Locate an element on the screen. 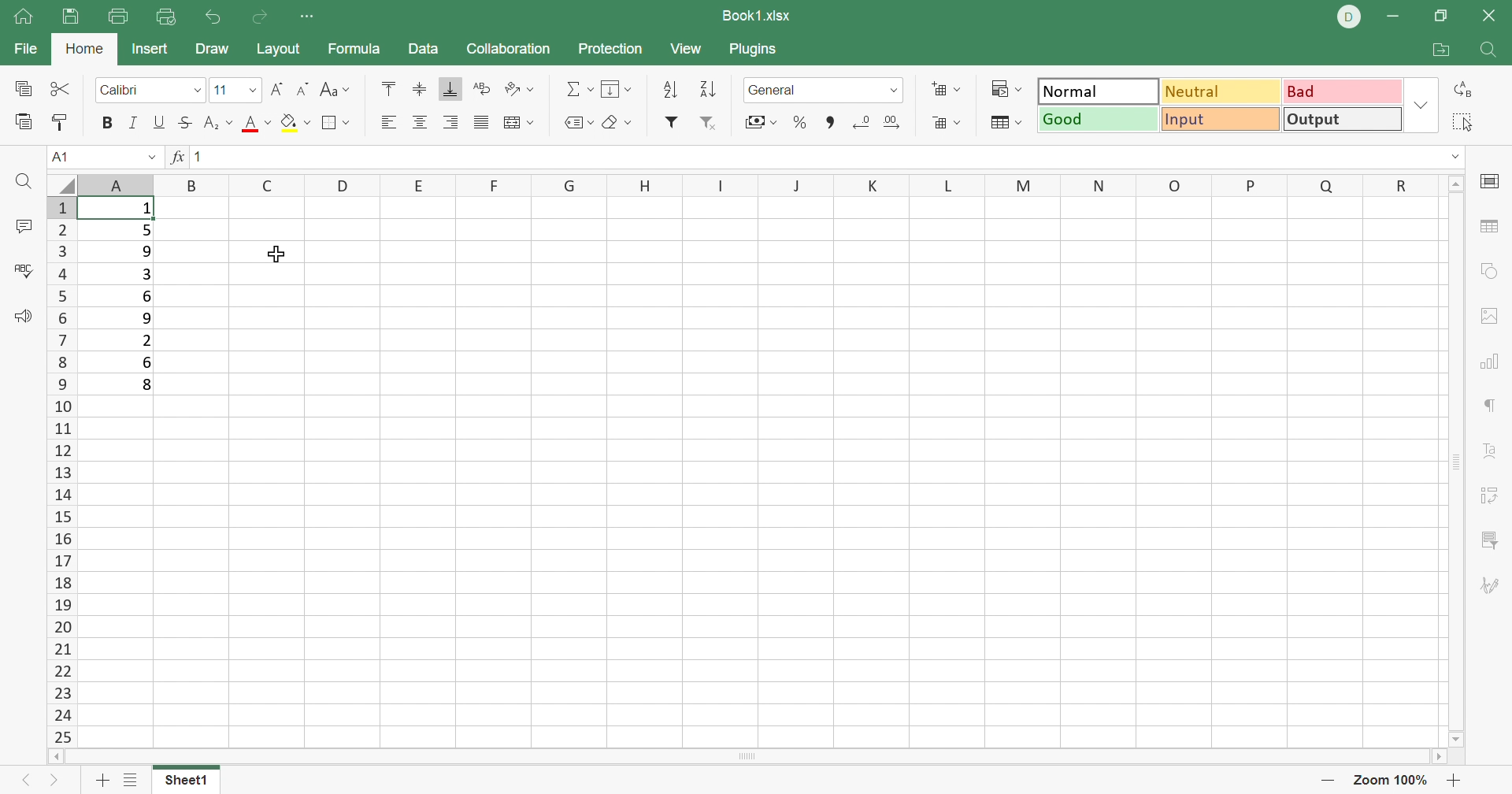  Scroll Right is located at coordinates (1440, 758).